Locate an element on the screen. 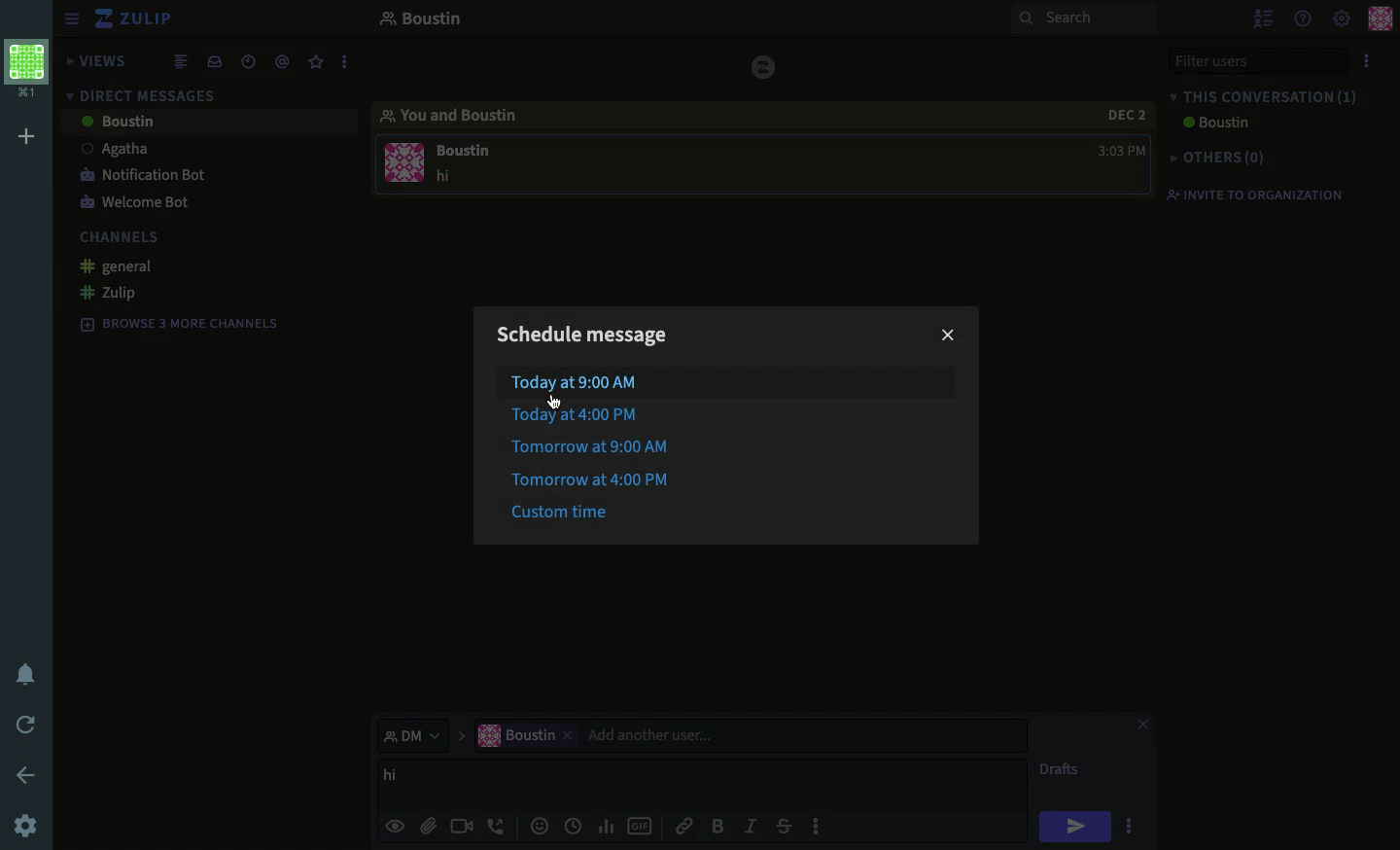 This screenshot has width=1400, height=850. notification  is located at coordinates (28, 674).